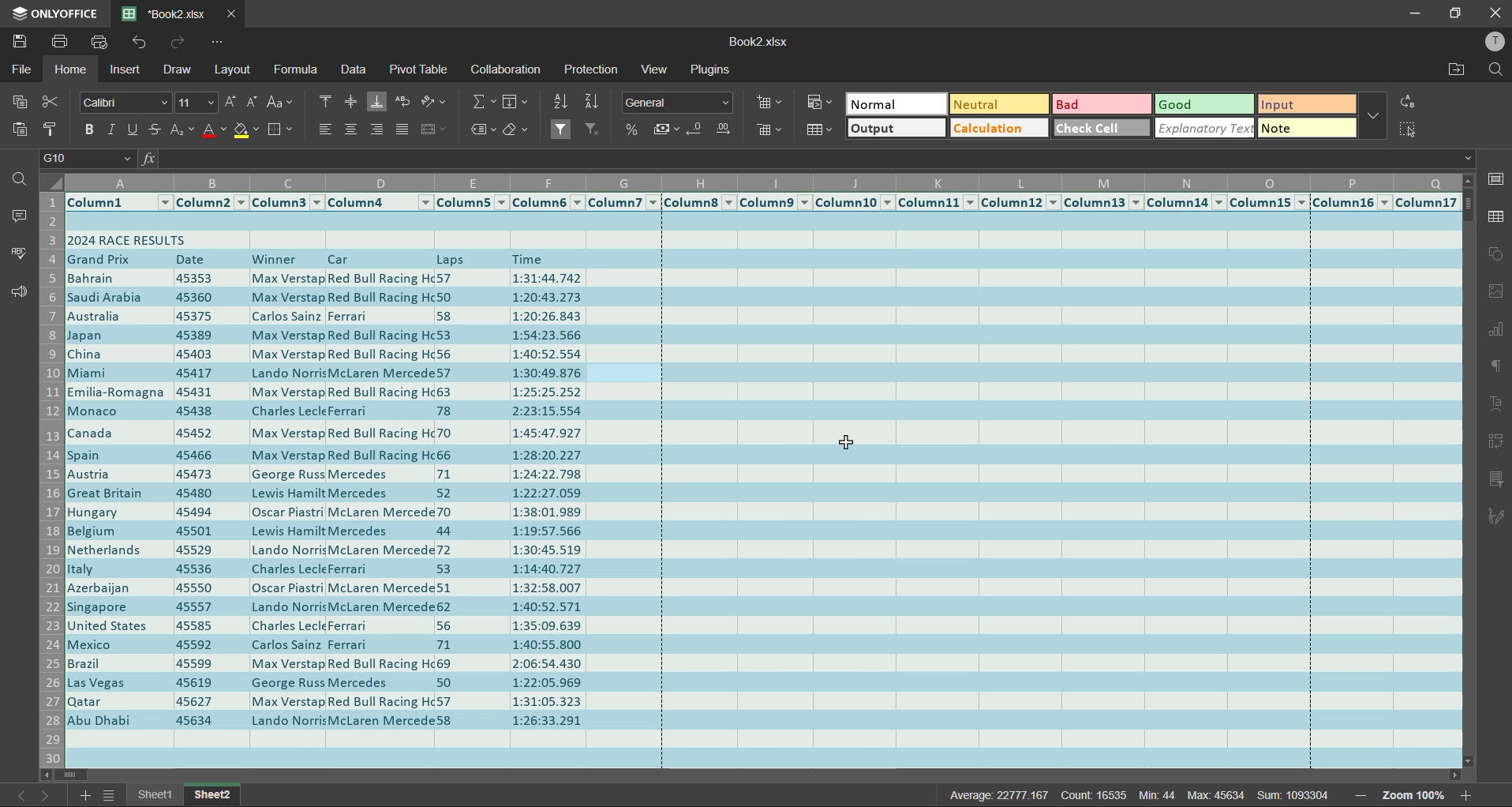 This screenshot has height=807, width=1512. Describe the element at coordinates (1495, 258) in the screenshot. I see `shapes` at that location.